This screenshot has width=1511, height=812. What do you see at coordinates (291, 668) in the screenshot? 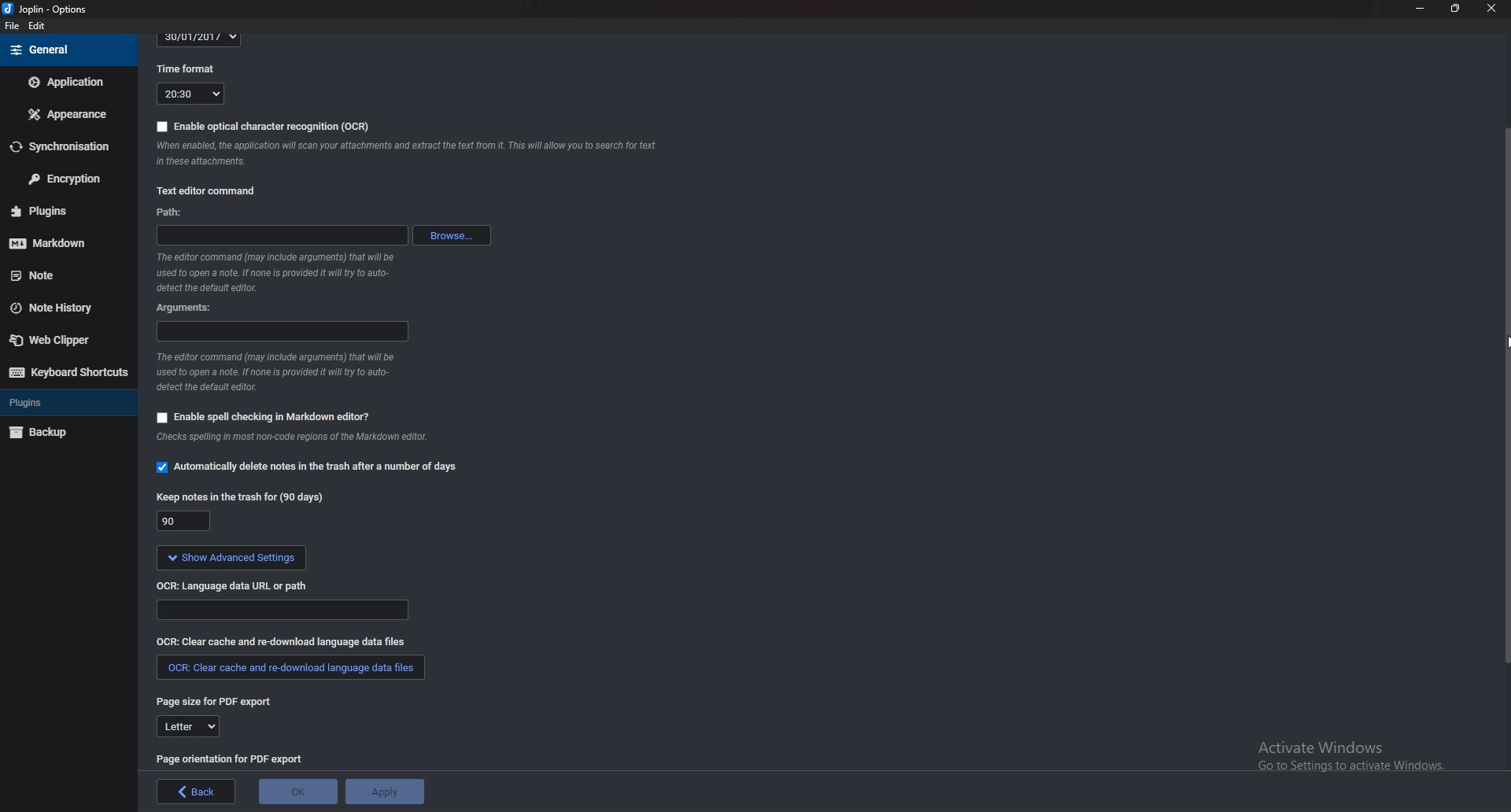
I see `Redownload language data` at bounding box center [291, 668].